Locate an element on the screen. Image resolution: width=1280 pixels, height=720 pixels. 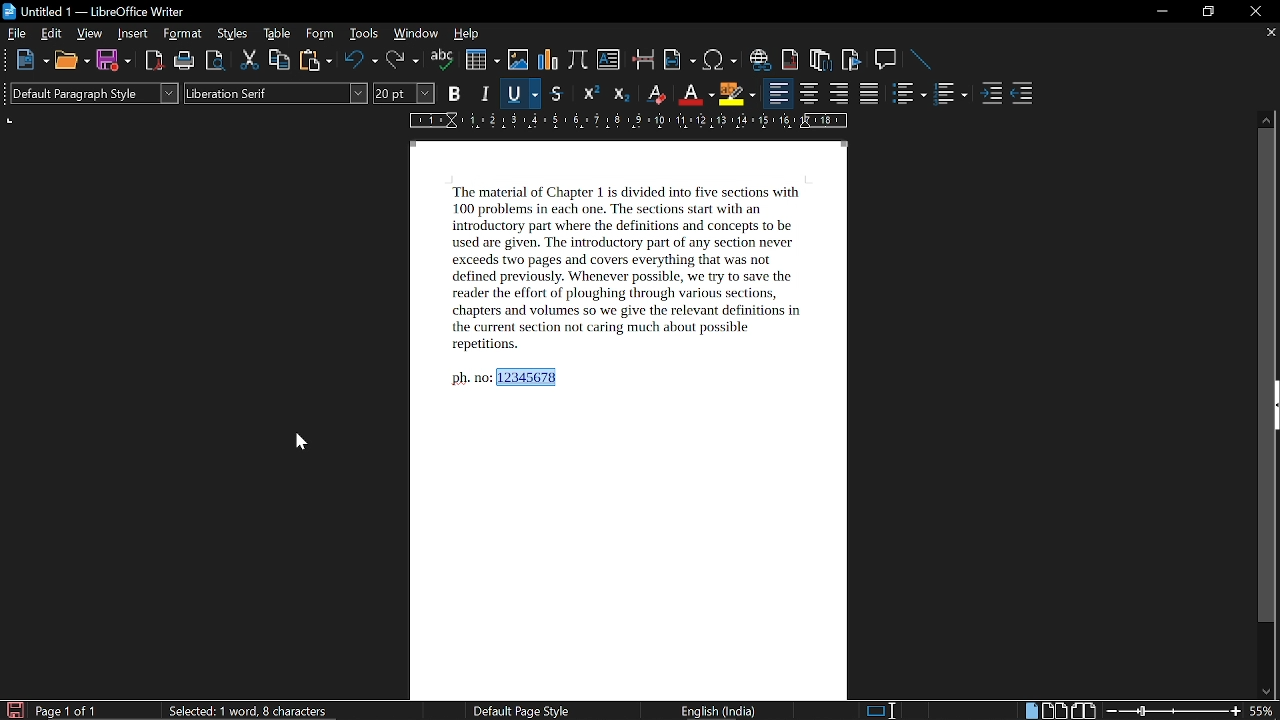
English (India) is located at coordinates (721, 712).